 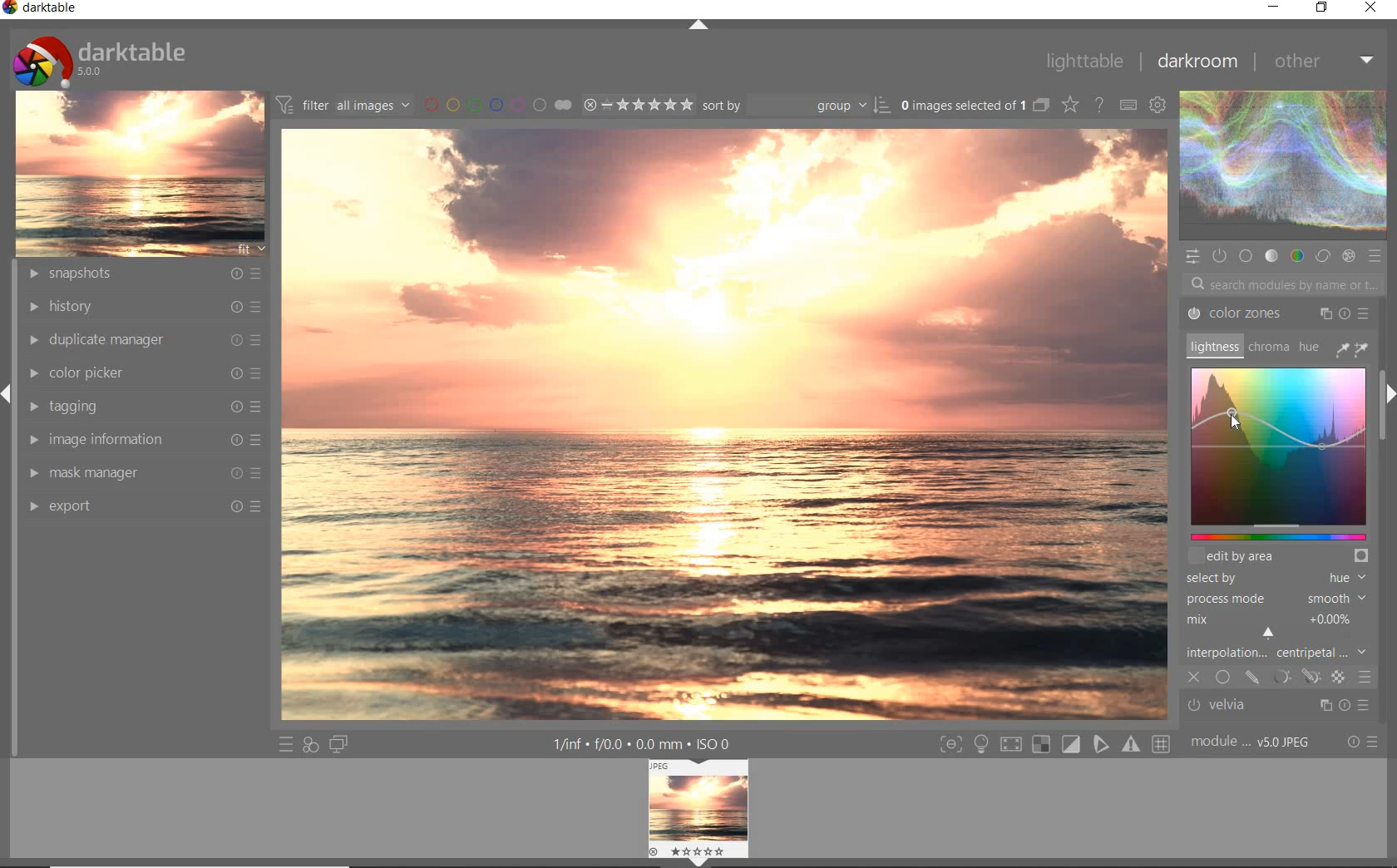 What do you see at coordinates (698, 814) in the screenshot?
I see `IMAGE PREVIEW` at bounding box center [698, 814].